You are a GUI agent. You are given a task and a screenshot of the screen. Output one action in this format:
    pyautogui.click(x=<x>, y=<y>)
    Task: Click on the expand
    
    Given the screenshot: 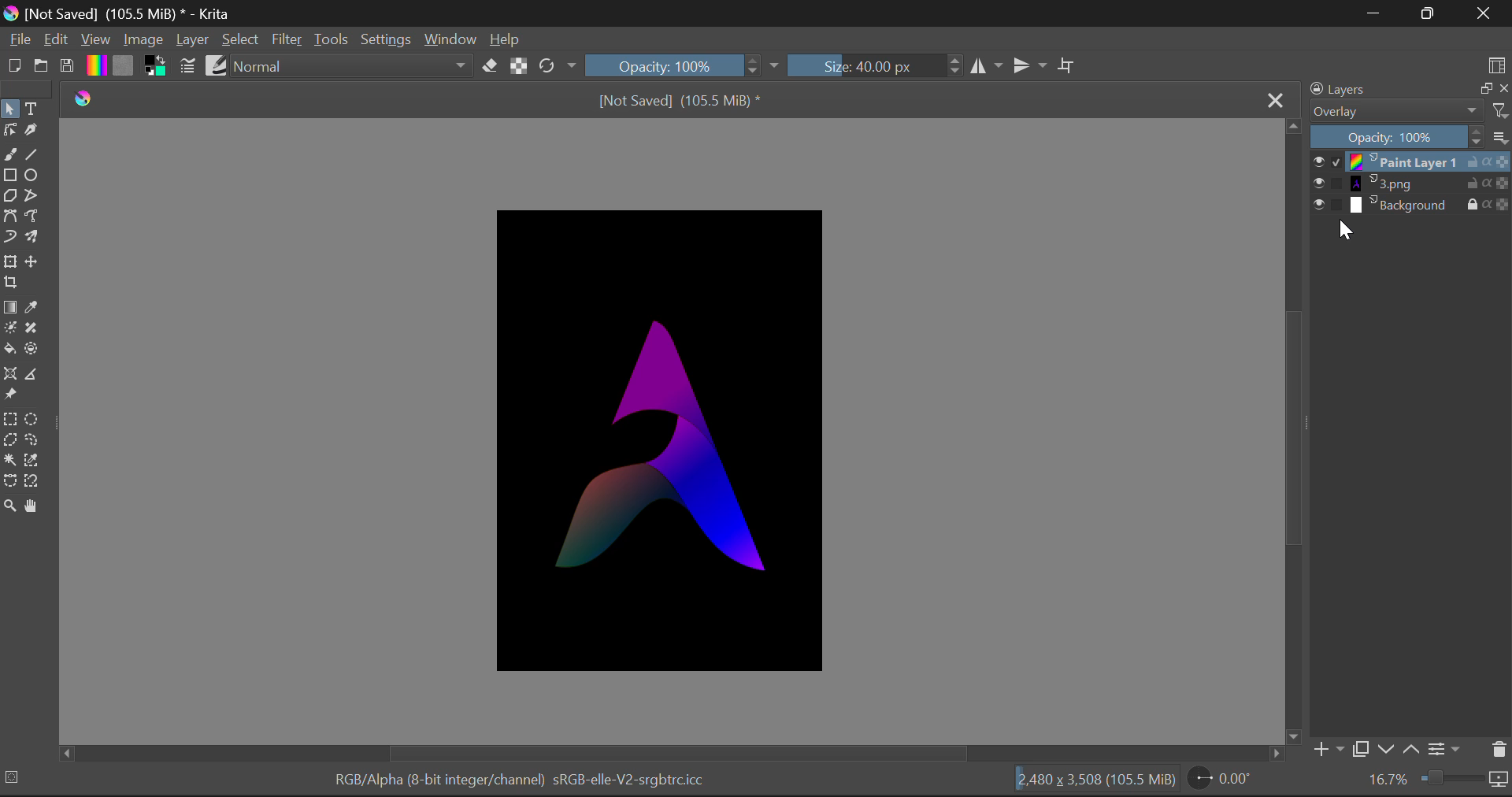 What is the action you would take?
    pyautogui.click(x=774, y=67)
    